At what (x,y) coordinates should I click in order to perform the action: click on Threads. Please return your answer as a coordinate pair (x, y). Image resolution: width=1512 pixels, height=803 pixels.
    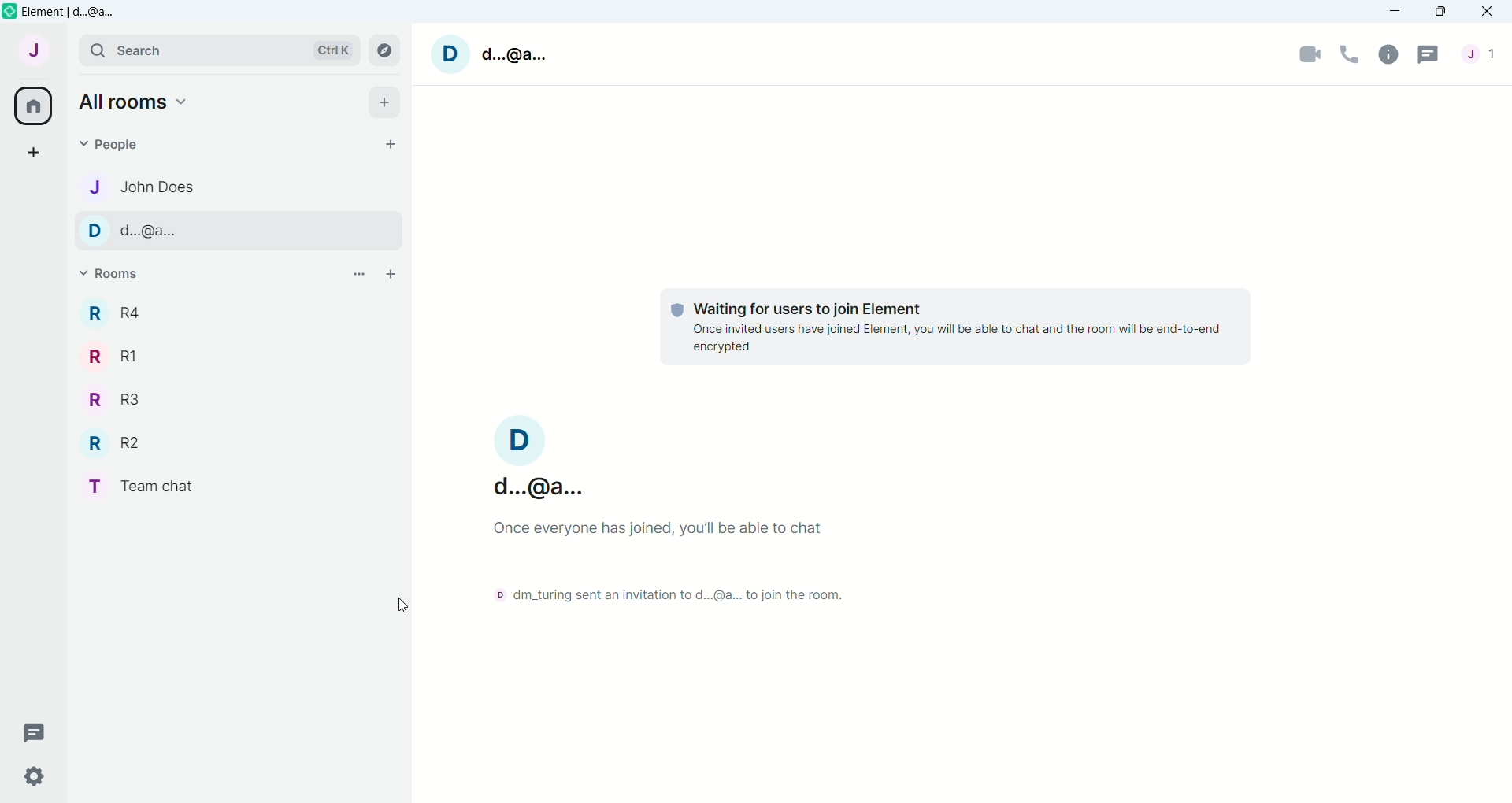
    Looking at the image, I should click on (39, 732).